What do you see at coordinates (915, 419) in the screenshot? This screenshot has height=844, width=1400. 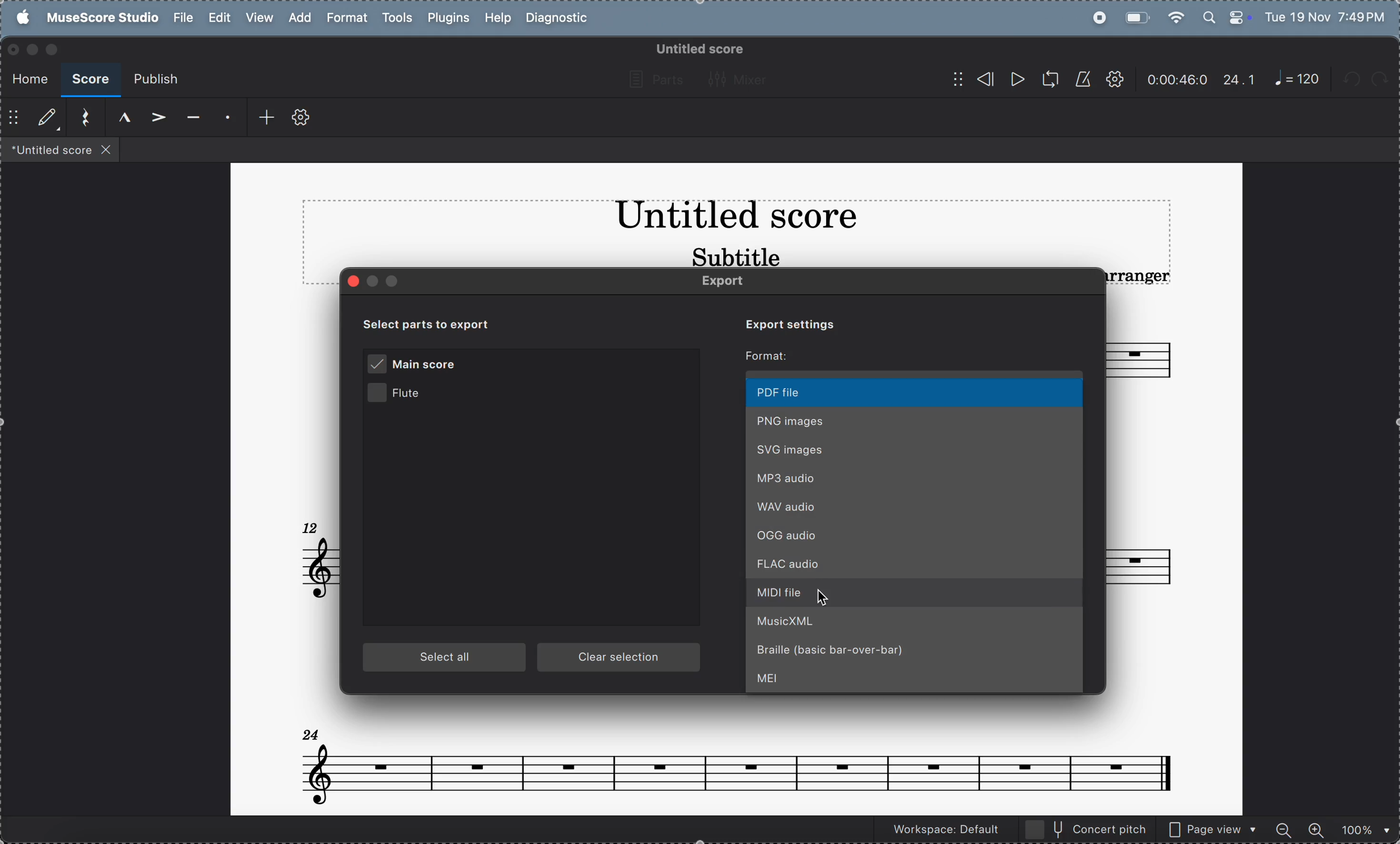 I see `PNG File` at bounding box center [915, 419].